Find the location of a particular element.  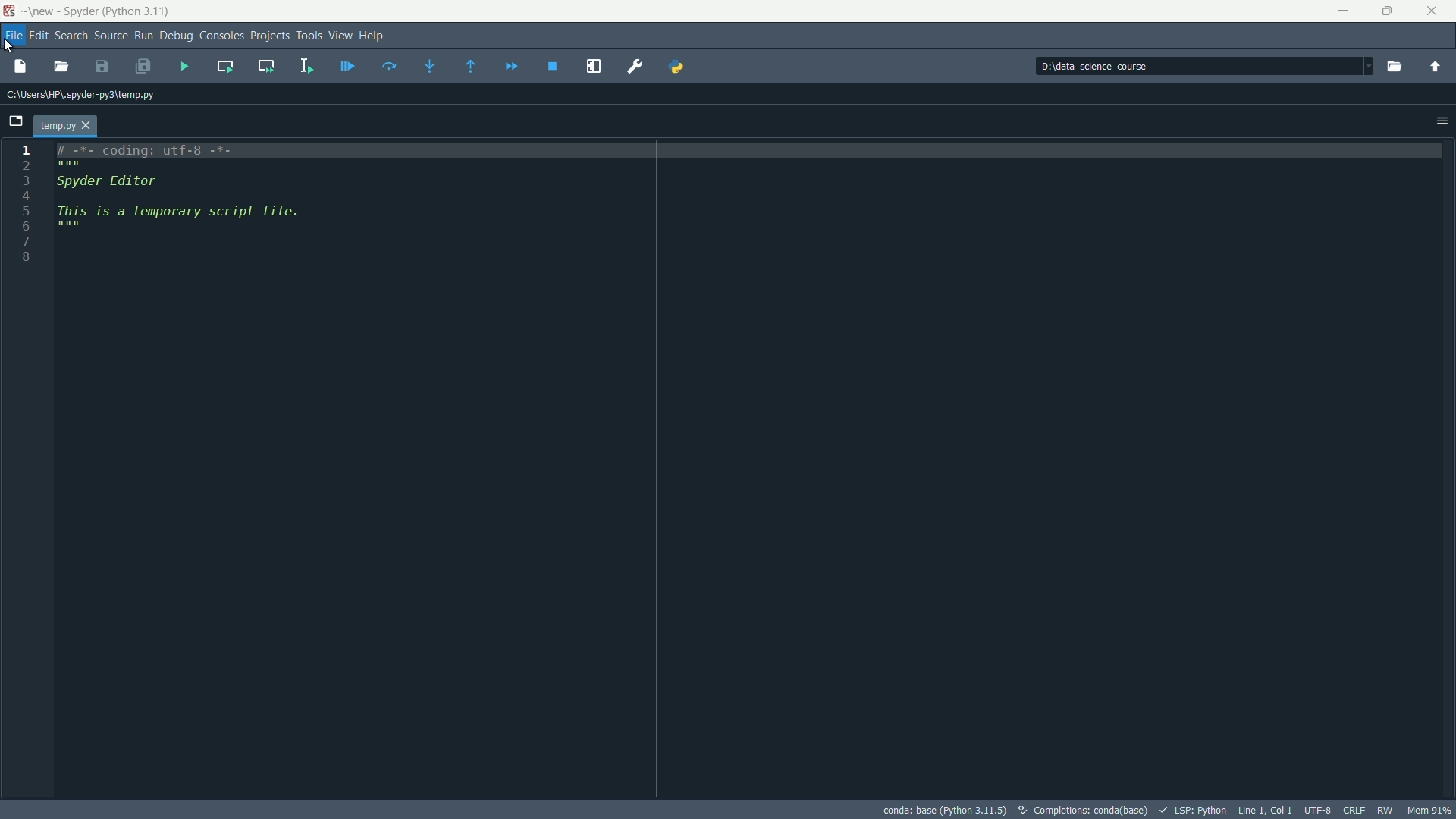

-\new - Spyder (Python 3.11) is located at coordinates (108, 11).